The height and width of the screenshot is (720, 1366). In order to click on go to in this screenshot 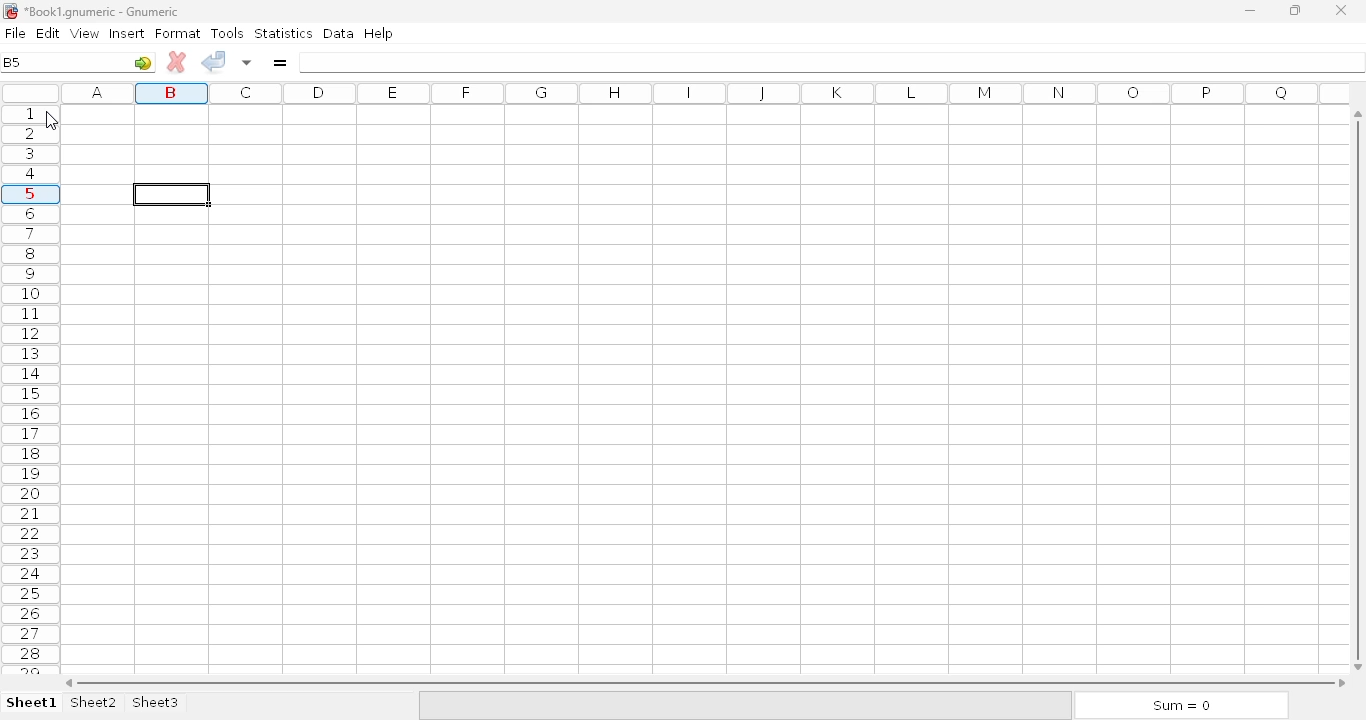, I will do `click(143, 62)`.